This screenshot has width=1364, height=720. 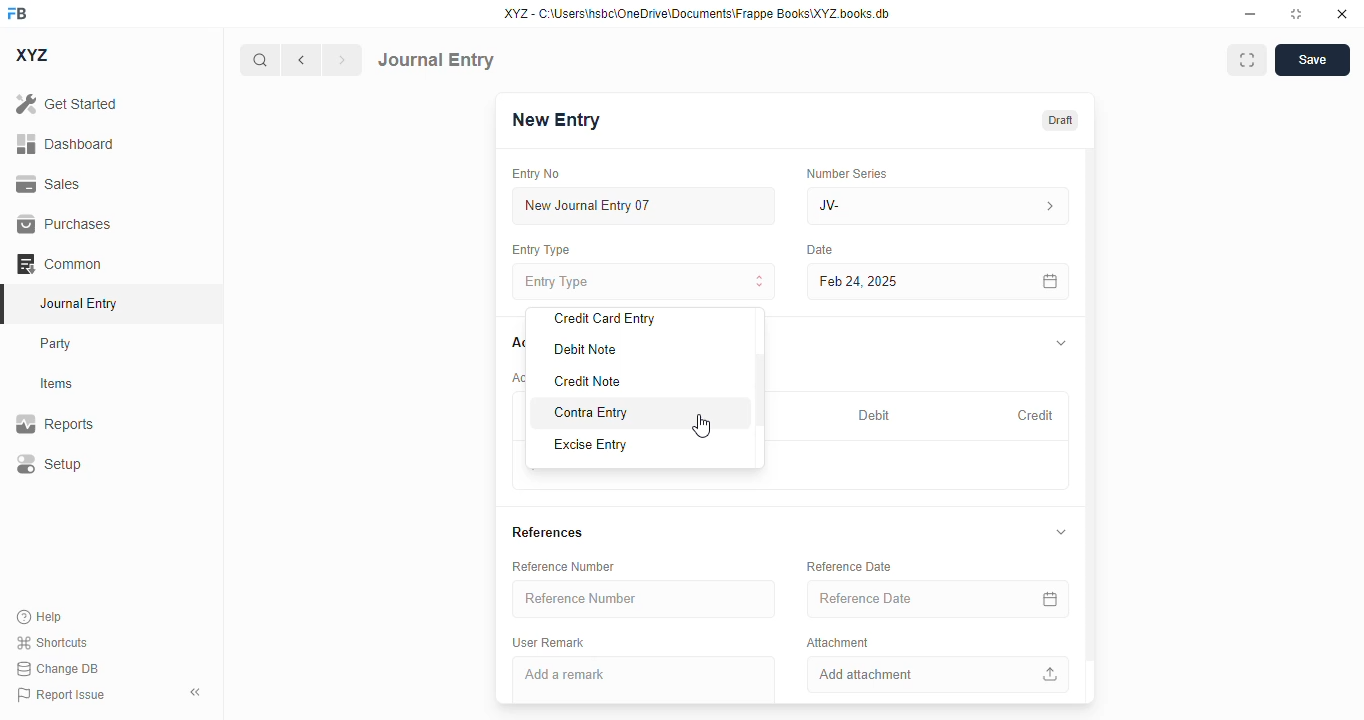 I want to click on journal entry, so click(x=80, y=303).